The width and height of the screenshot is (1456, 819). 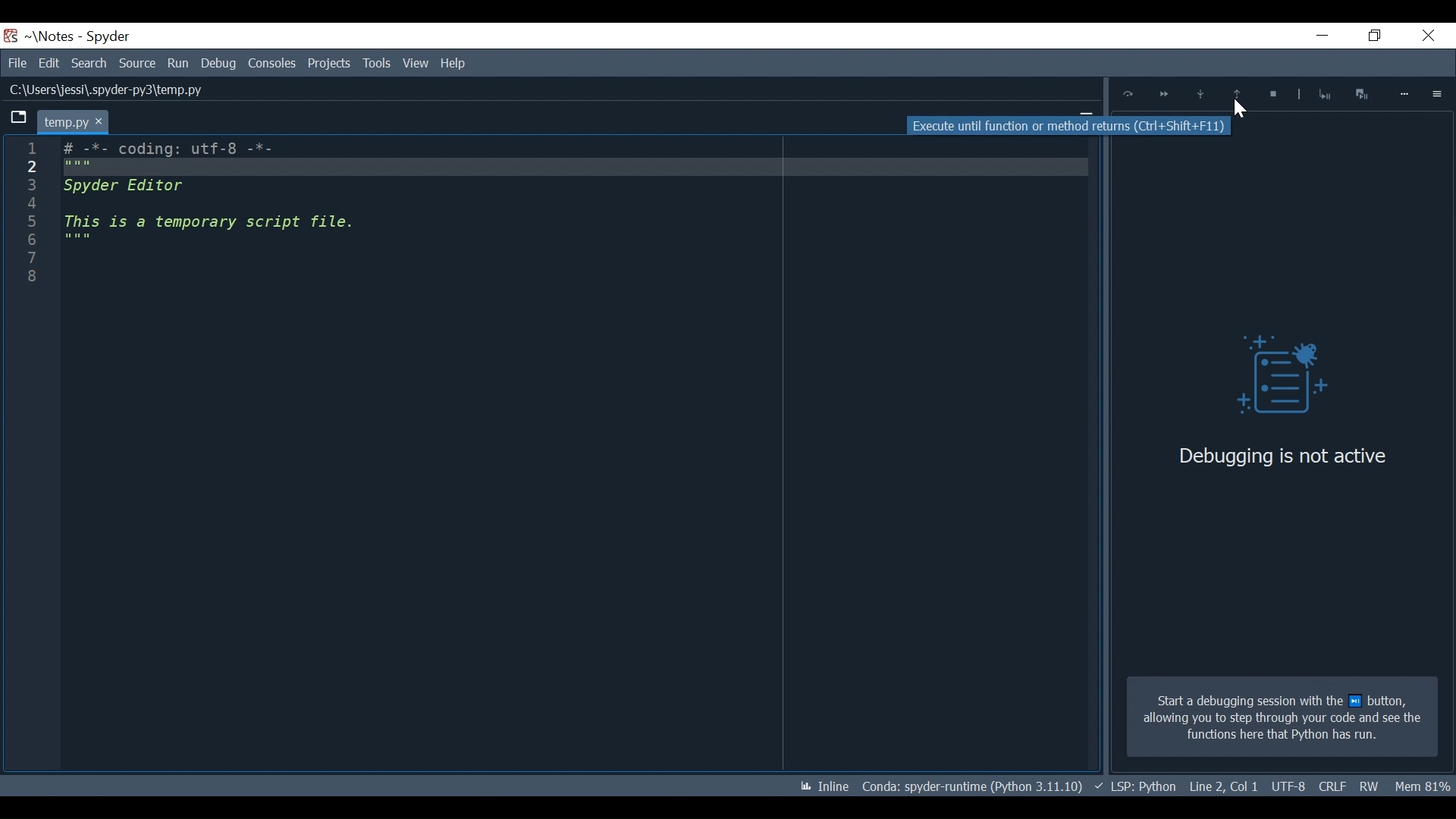 I want to click on Help, so click(x=455, y=62).